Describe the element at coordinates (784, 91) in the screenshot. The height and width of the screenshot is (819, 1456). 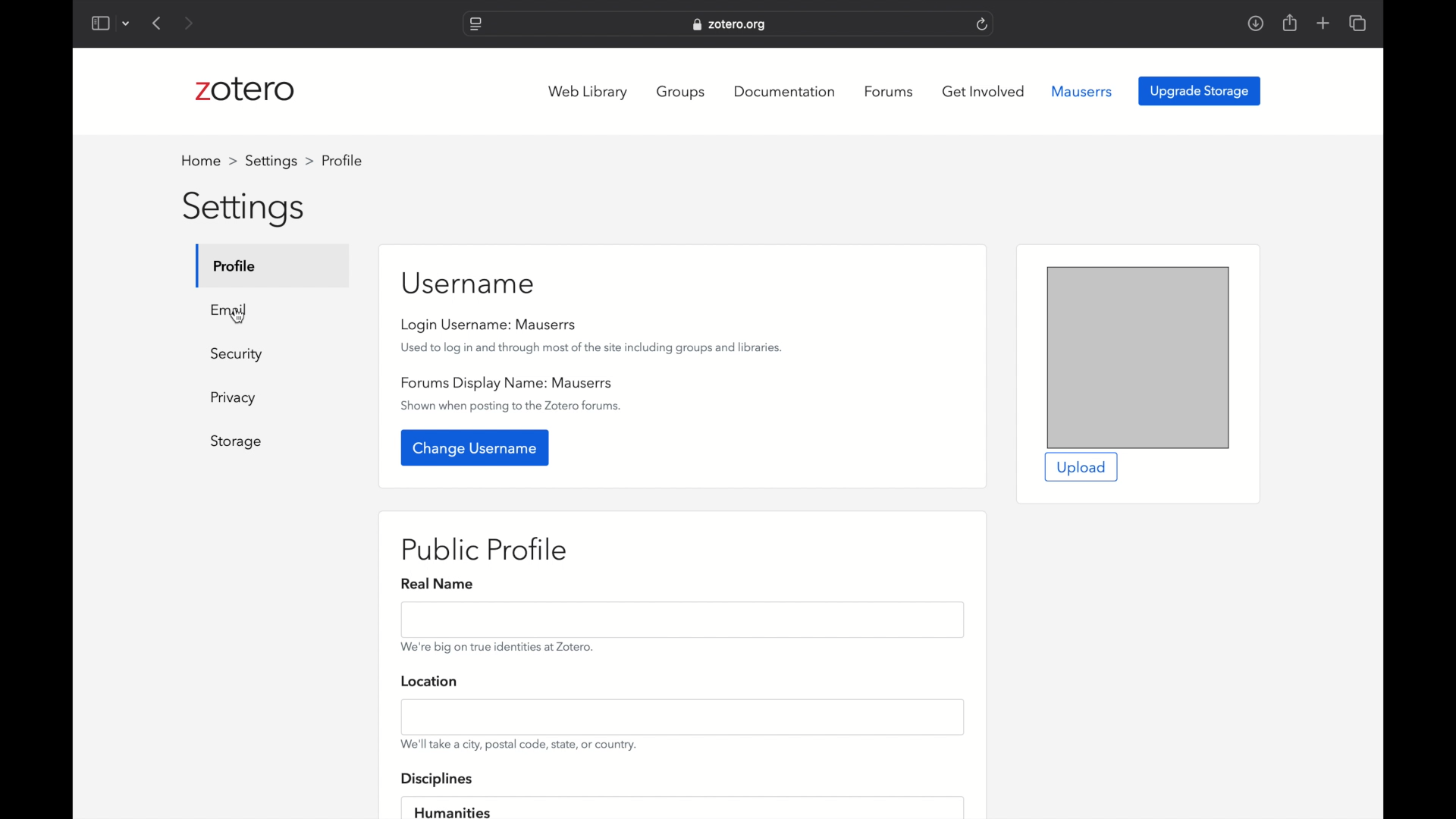
I see `documentation` at that location.